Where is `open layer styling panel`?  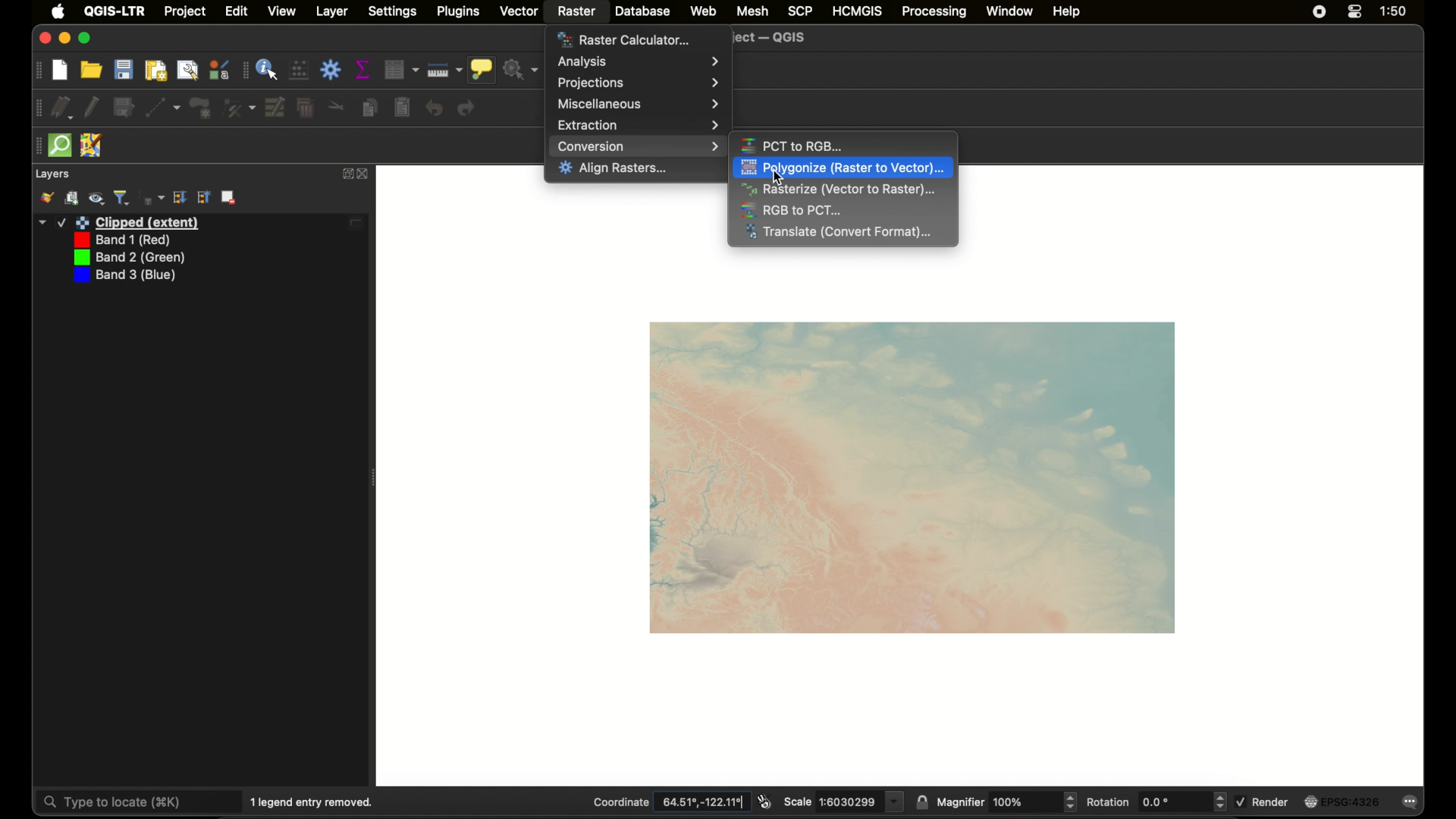 open layer styling panel is located at coordinates (46, 198).